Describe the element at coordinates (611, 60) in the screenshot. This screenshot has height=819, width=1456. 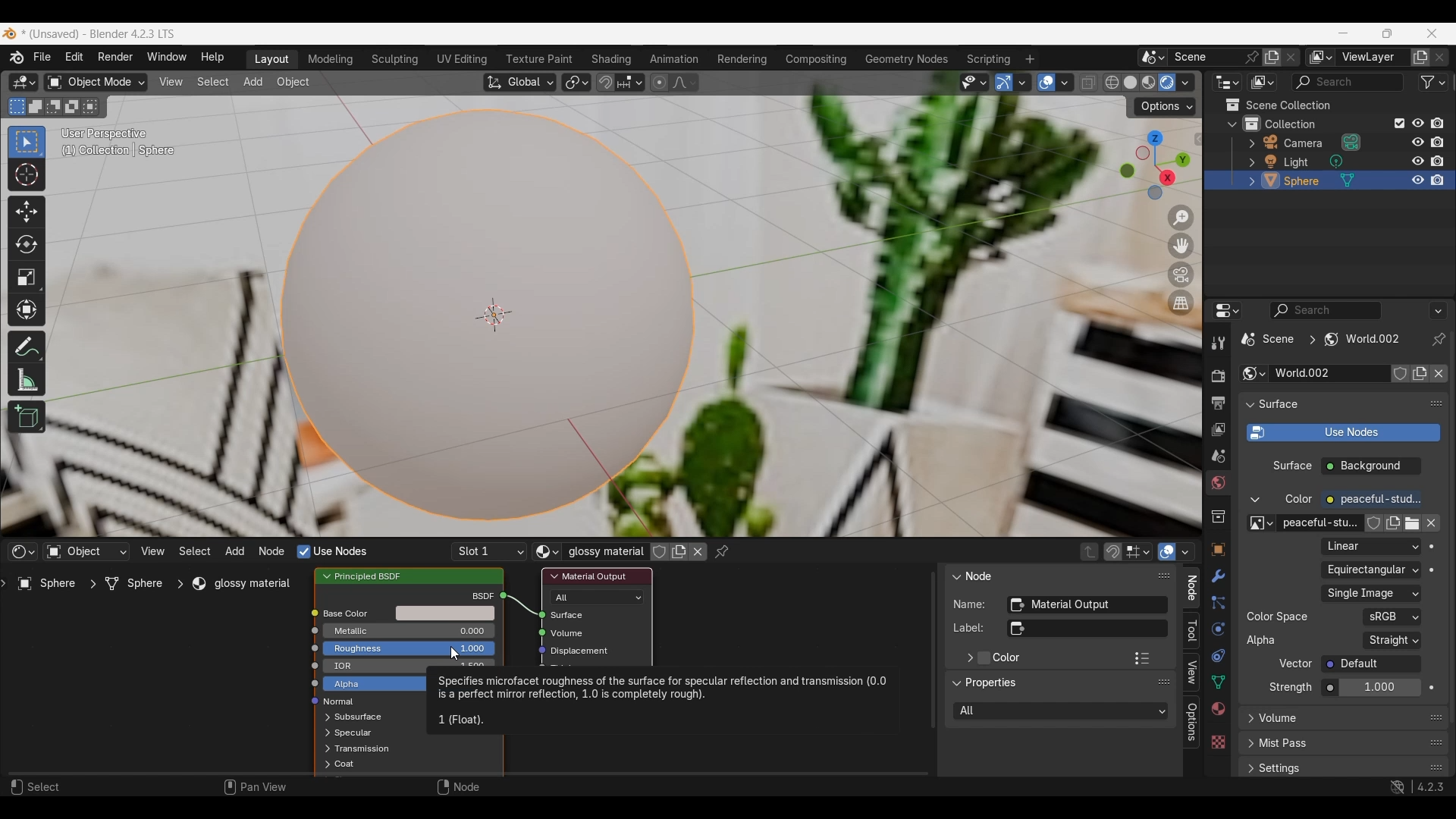
I see `Shading workspace` at that location.